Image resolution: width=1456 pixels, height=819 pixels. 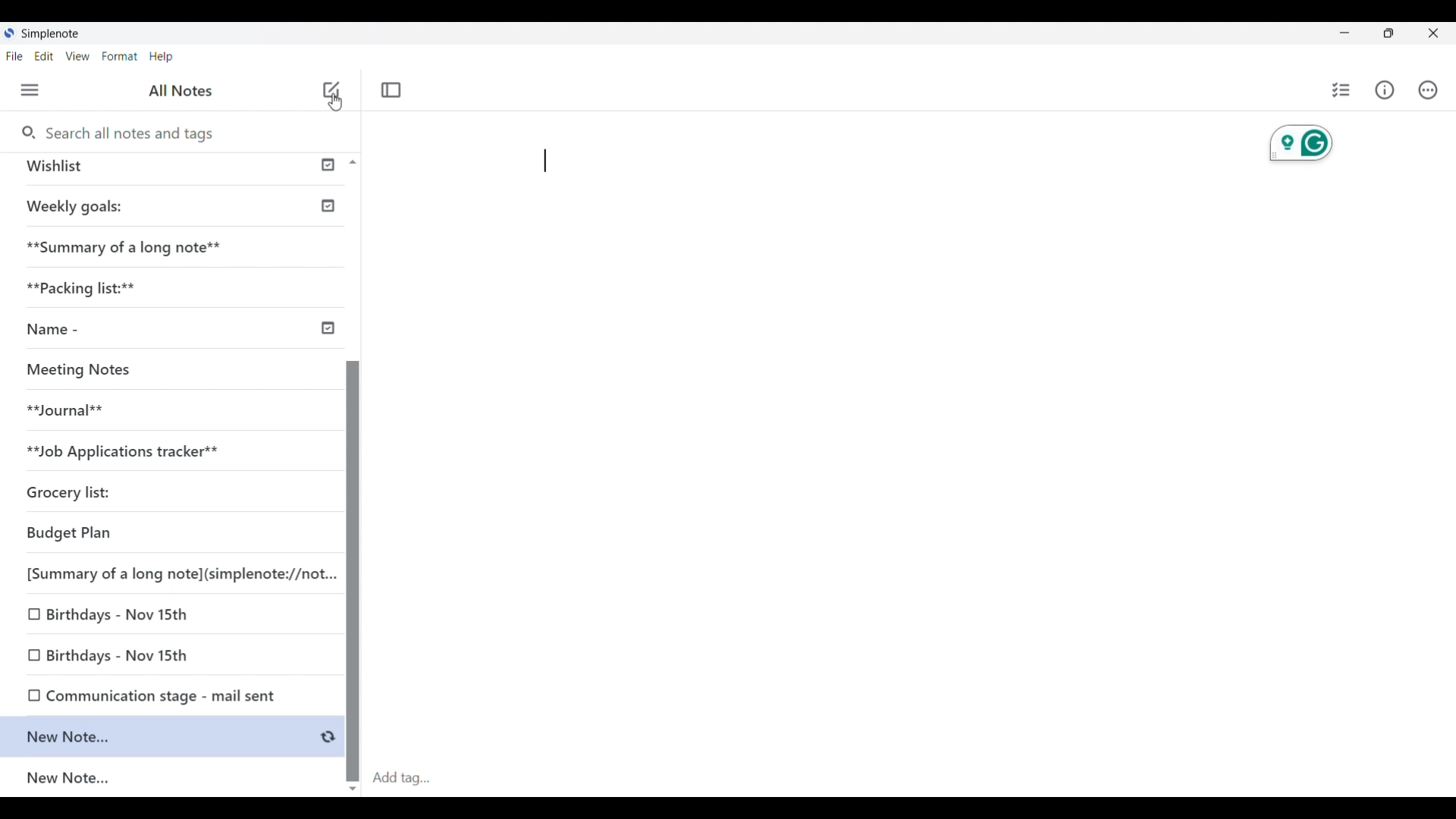 What do you see at coordinates (352, 561) in the screenshot?
I see `Vertical slide bar` at bounding box center [352, 561].